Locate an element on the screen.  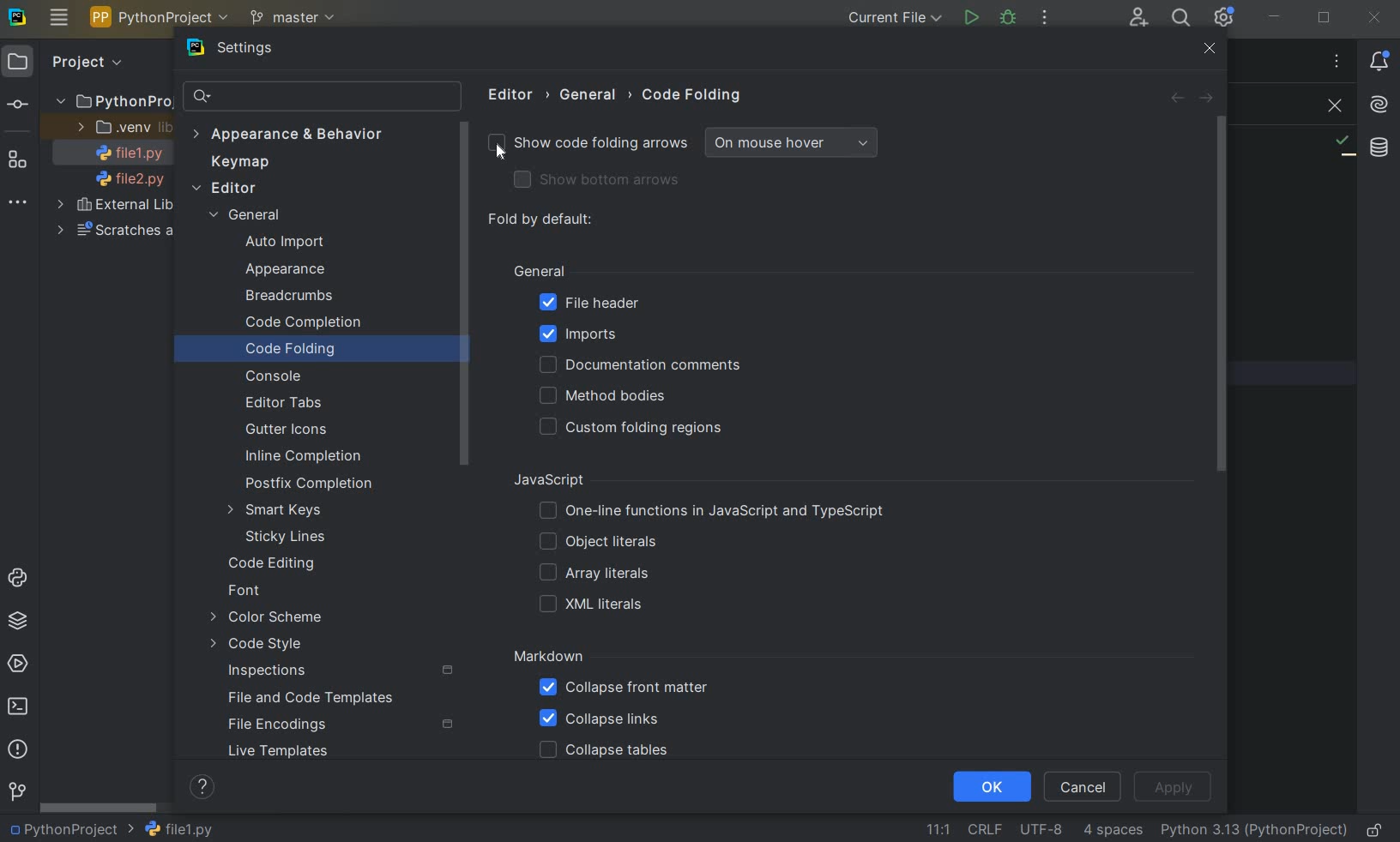
FILE NAME 1 is located at coordinates (124, 154).